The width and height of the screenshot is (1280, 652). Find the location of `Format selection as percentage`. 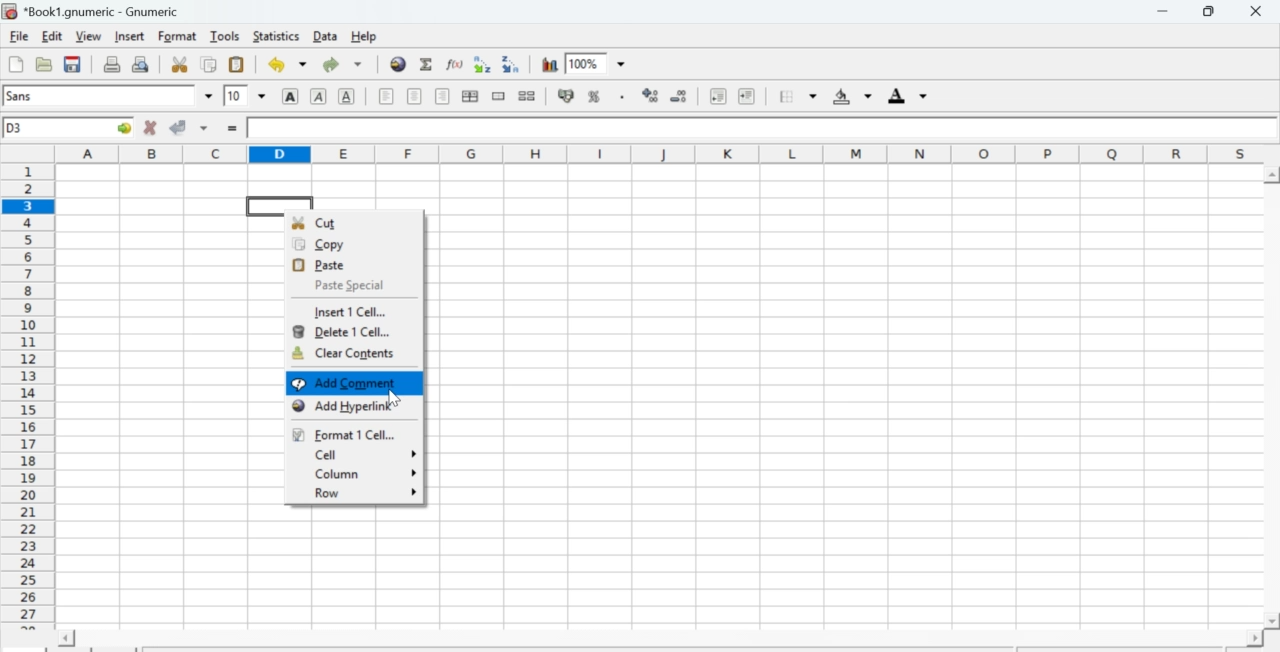

Format selection as percentage is located at coordinates (594, 95).